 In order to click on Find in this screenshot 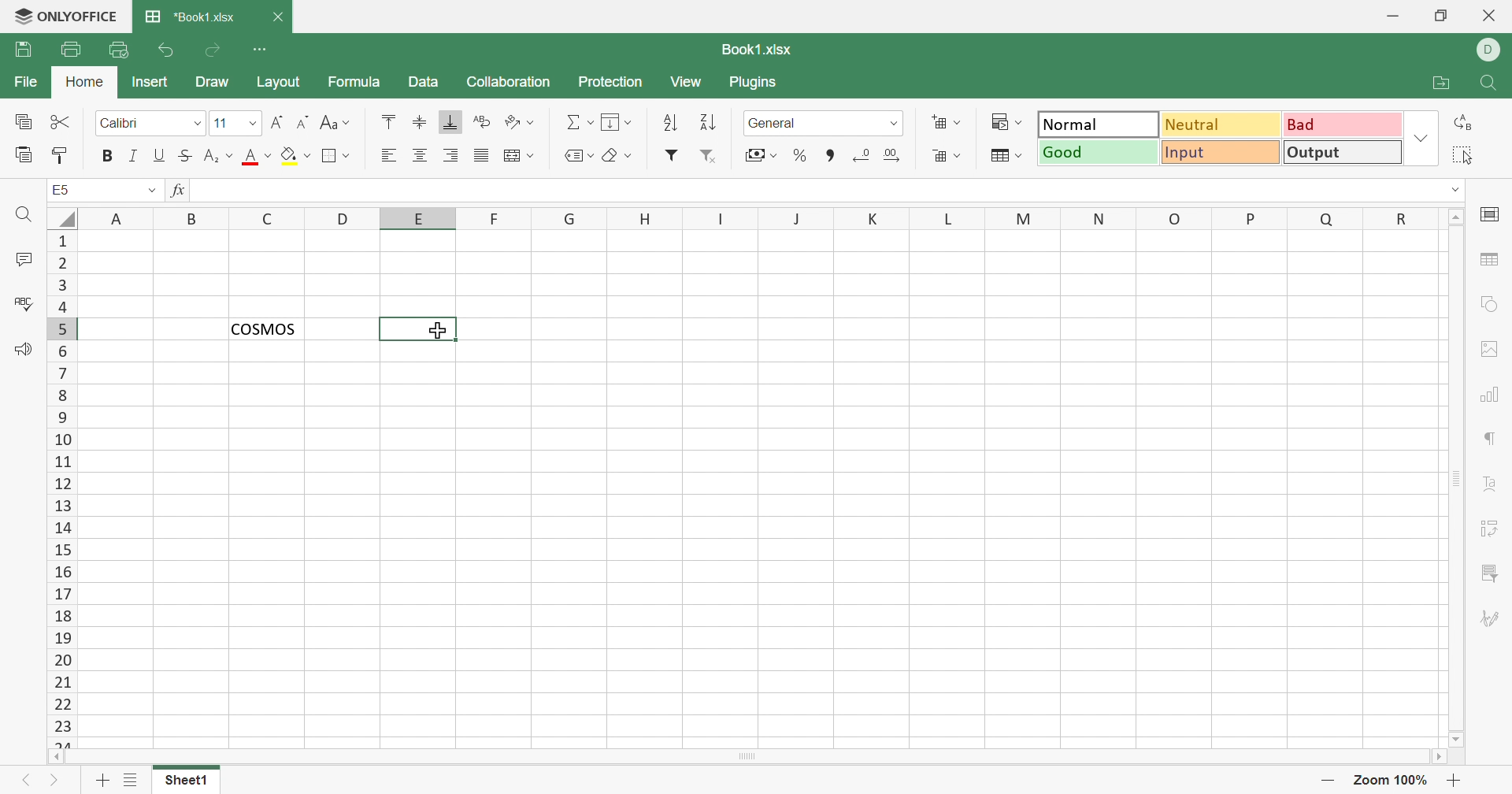, I will do `click(24, 216)`.